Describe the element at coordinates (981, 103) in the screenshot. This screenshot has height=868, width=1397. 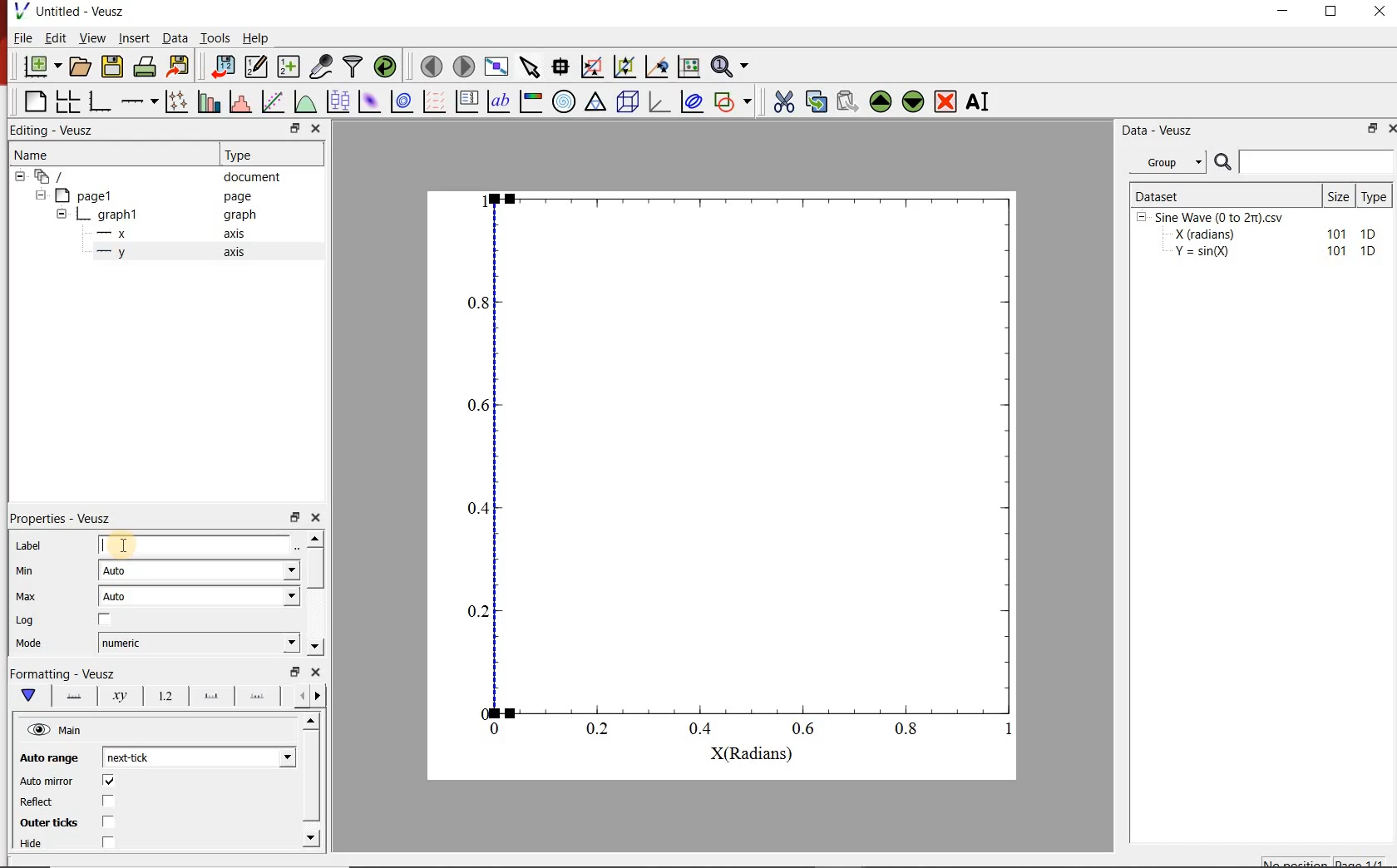
I see `rename` at that location.